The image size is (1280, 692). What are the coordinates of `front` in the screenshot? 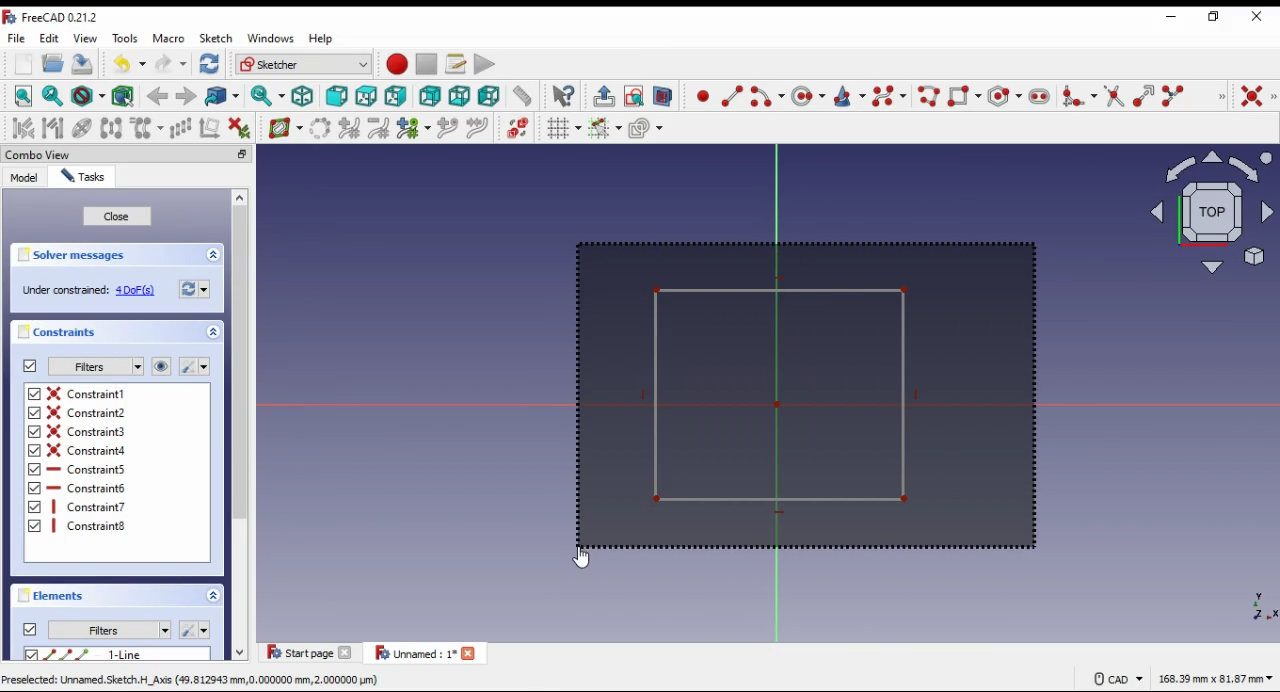 It's located at (336, 96).